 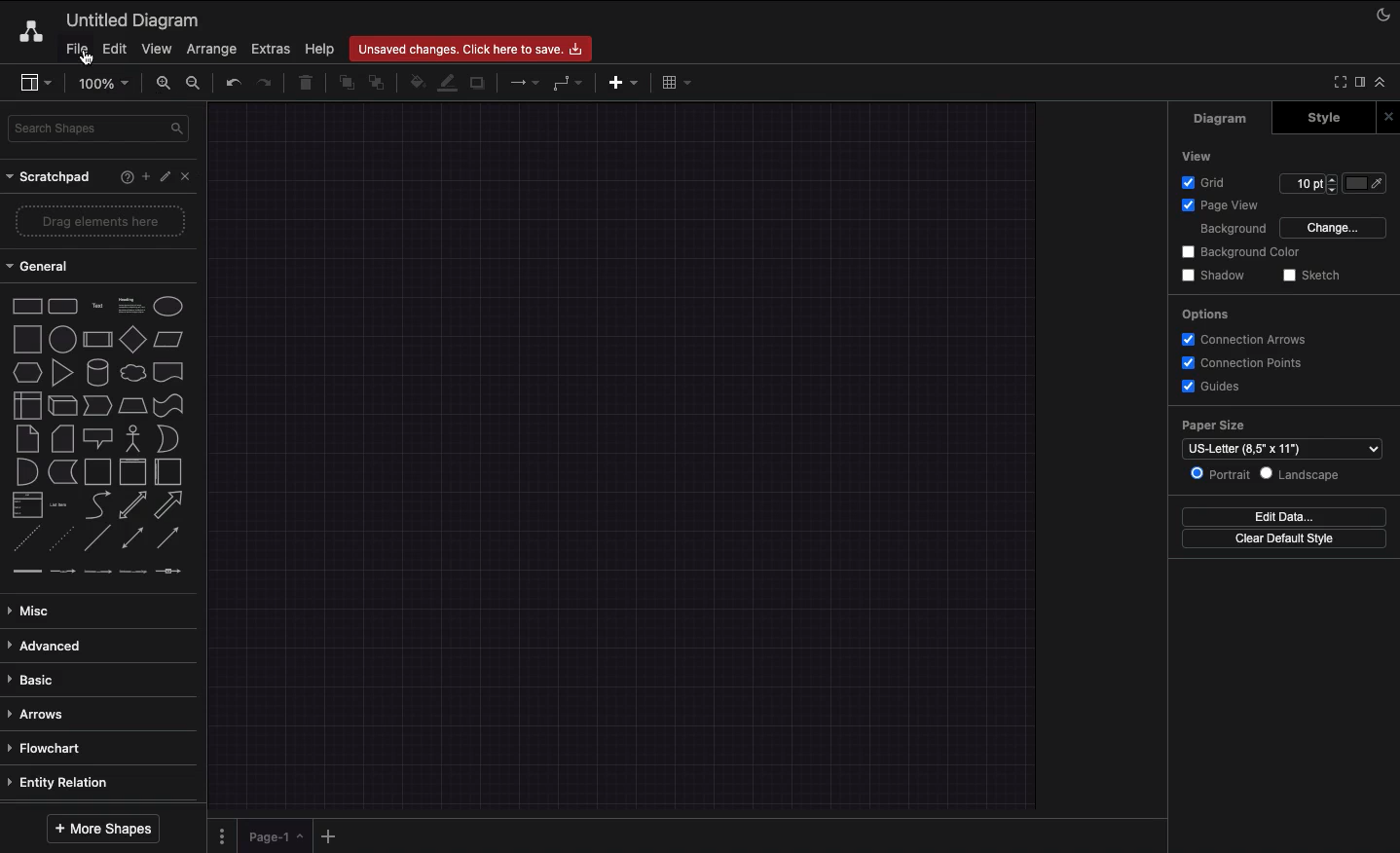 What do you see at coordinates (62, 406) in the screenshot?
I see `Cube` at bounding box center [62, 406].